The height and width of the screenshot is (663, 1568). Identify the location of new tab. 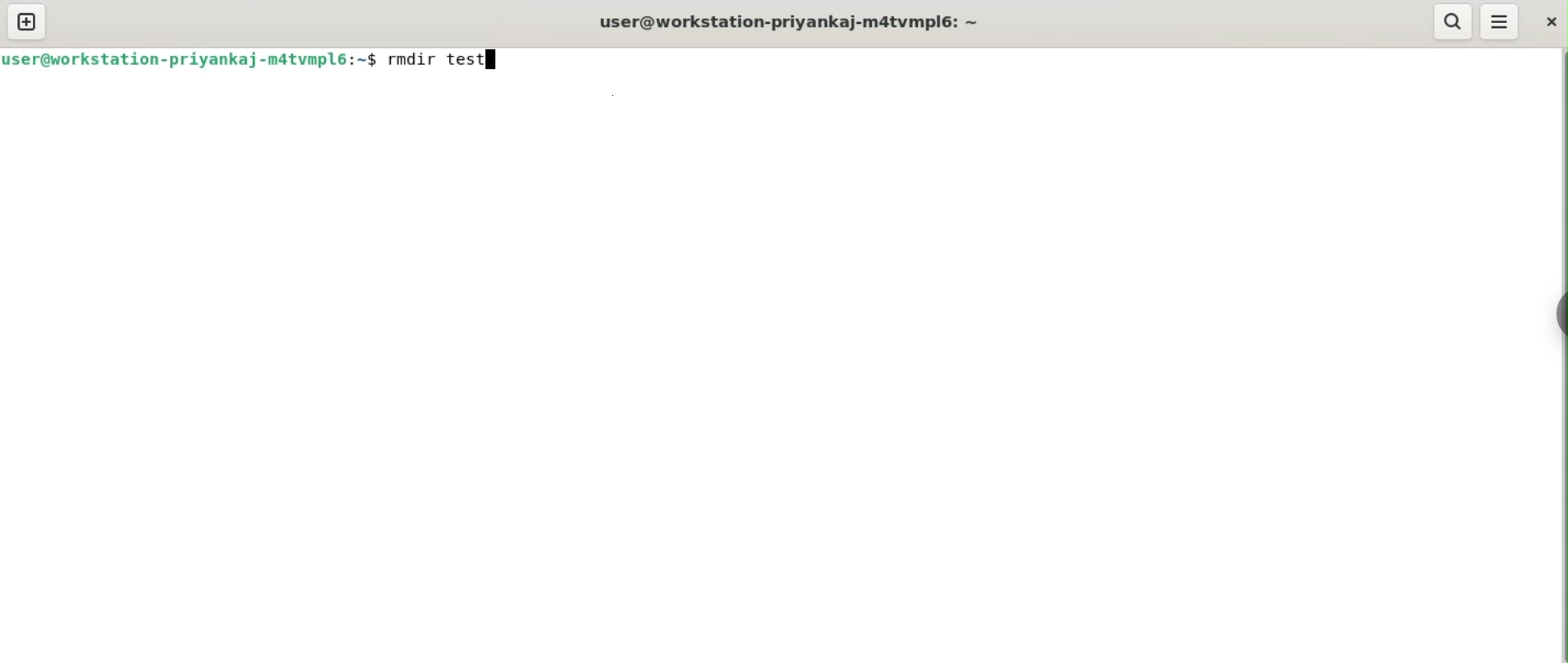
(29, 22).